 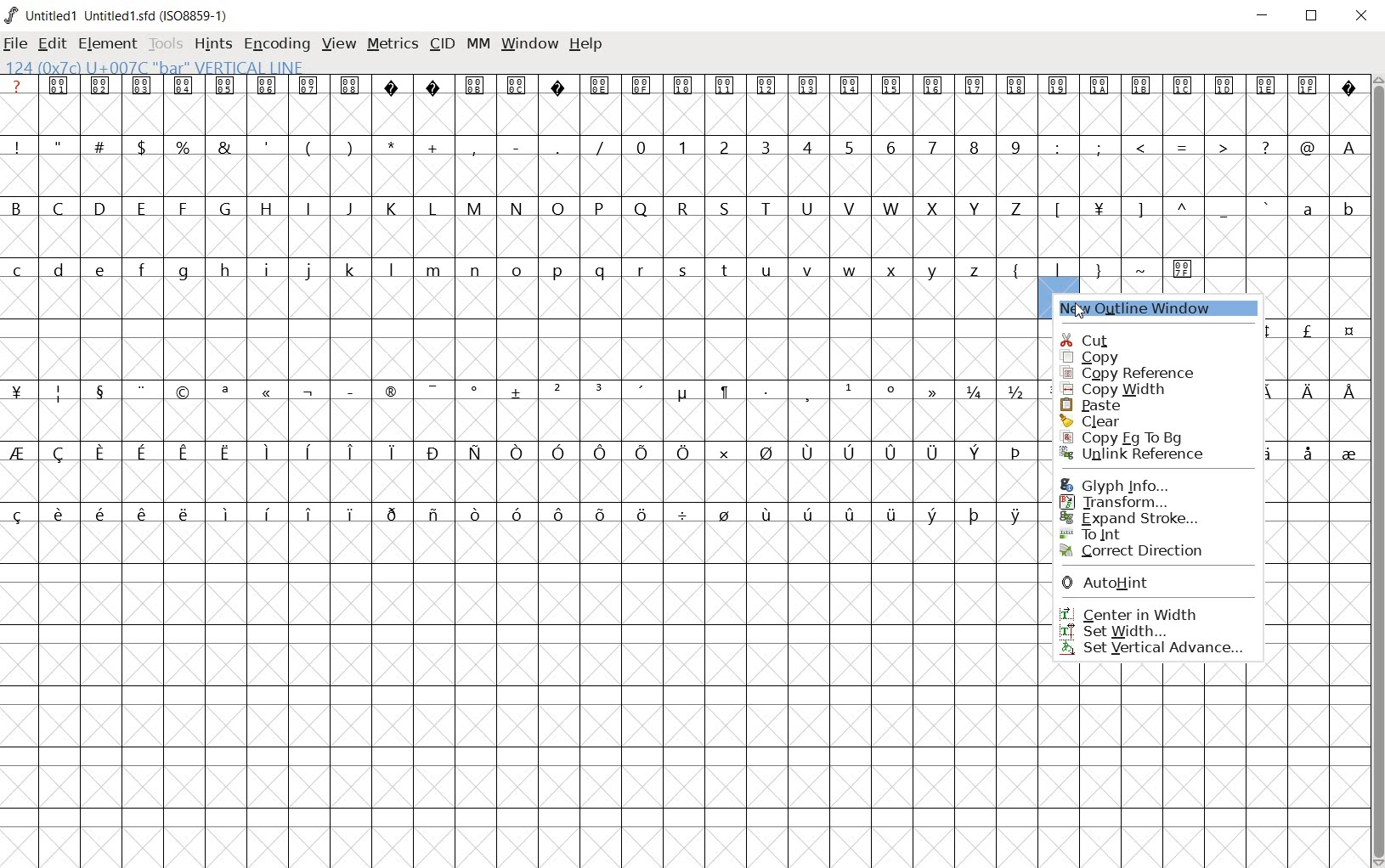 What do you see at coordinates (478, 42) in the screenshot?
I see `mm` at bounding box center [478, 42].